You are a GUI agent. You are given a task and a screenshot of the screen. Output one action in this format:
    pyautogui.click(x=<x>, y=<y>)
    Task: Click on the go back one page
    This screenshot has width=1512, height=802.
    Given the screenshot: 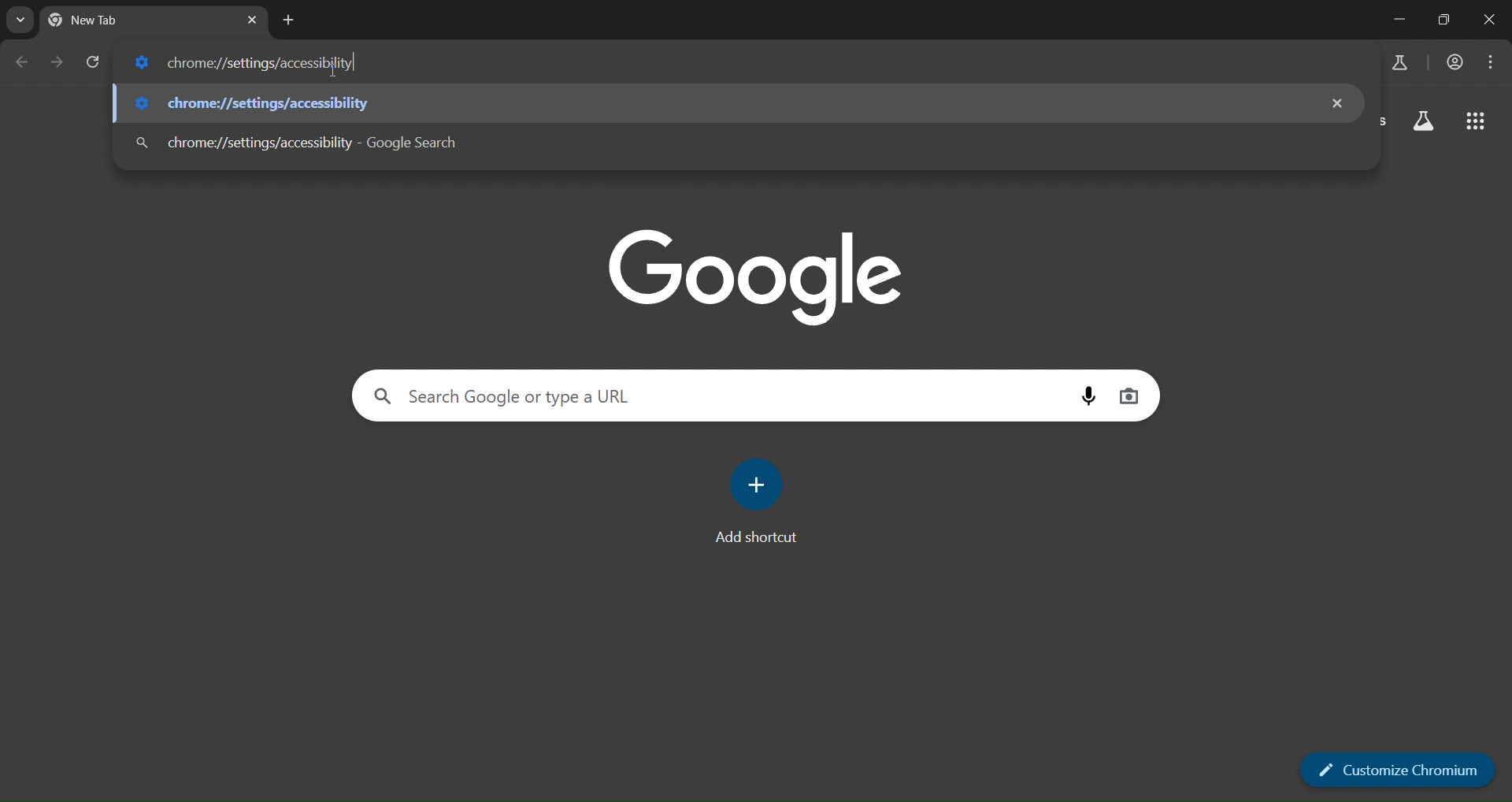 What is the action you would take?
    pyautogui.click(x=23, y=62)
    